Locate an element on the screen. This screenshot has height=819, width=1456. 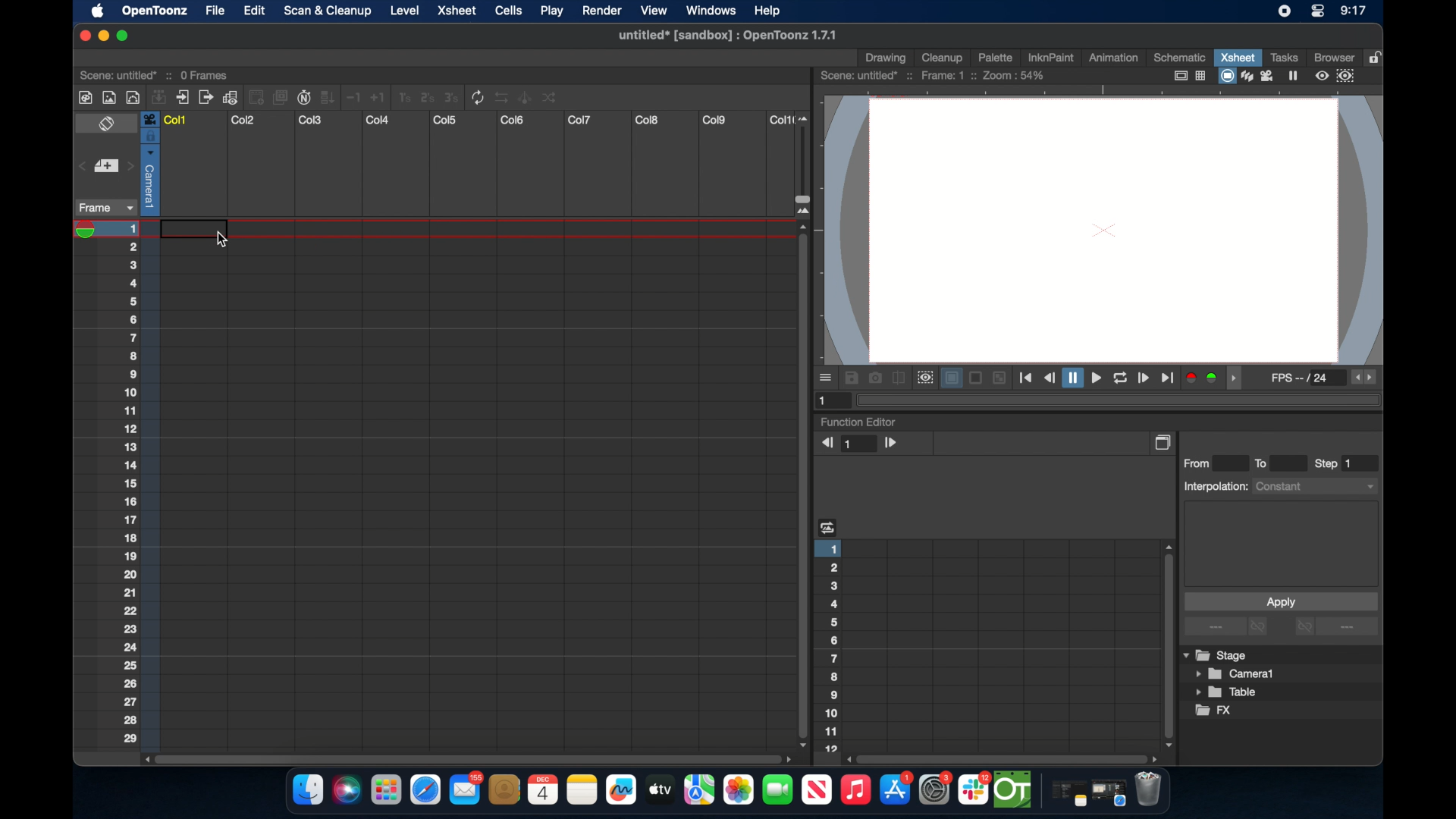
numbering is located at coordinates (831, 645).